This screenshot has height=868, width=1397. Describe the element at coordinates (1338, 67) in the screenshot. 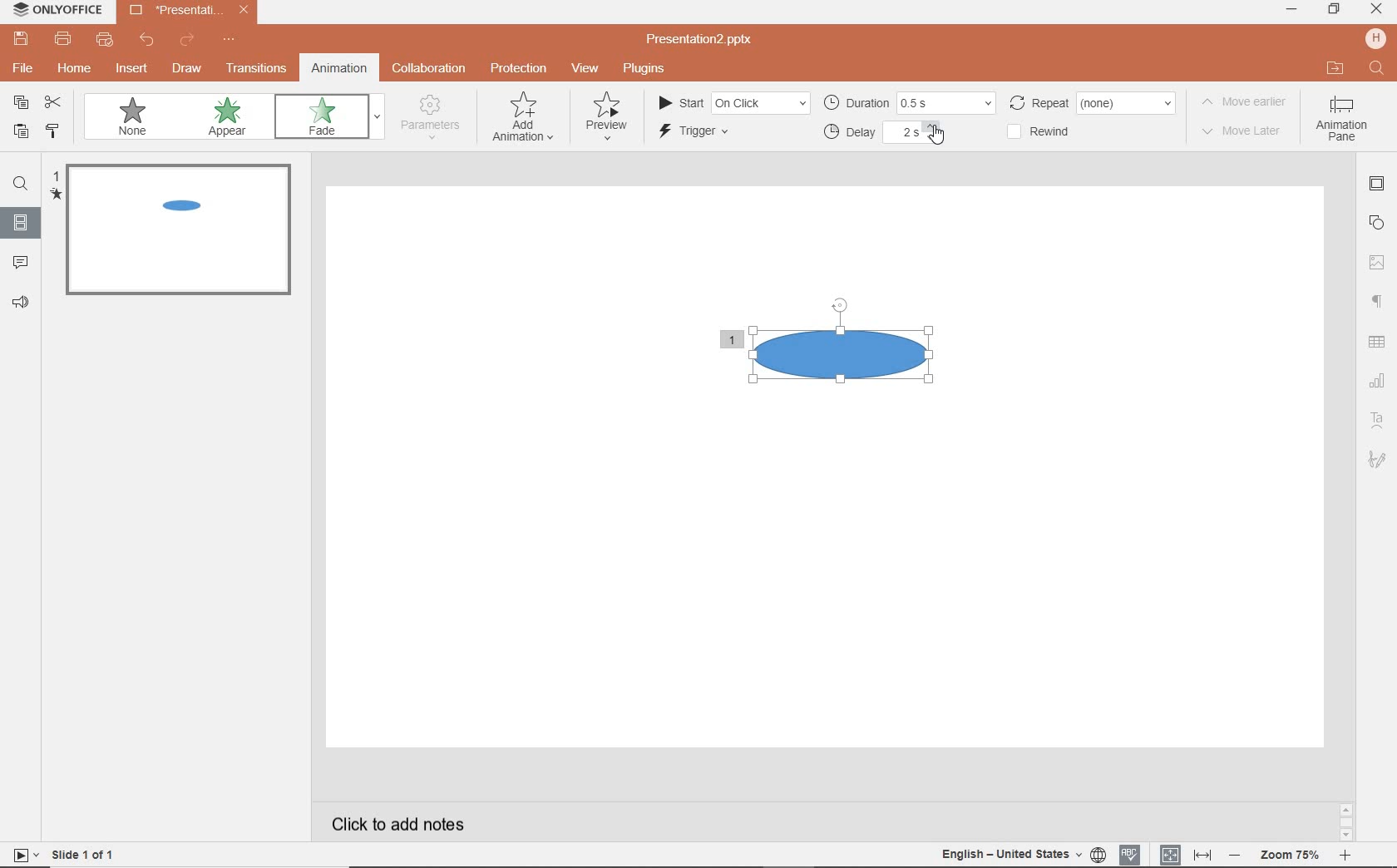

I see `open file location` at that location.